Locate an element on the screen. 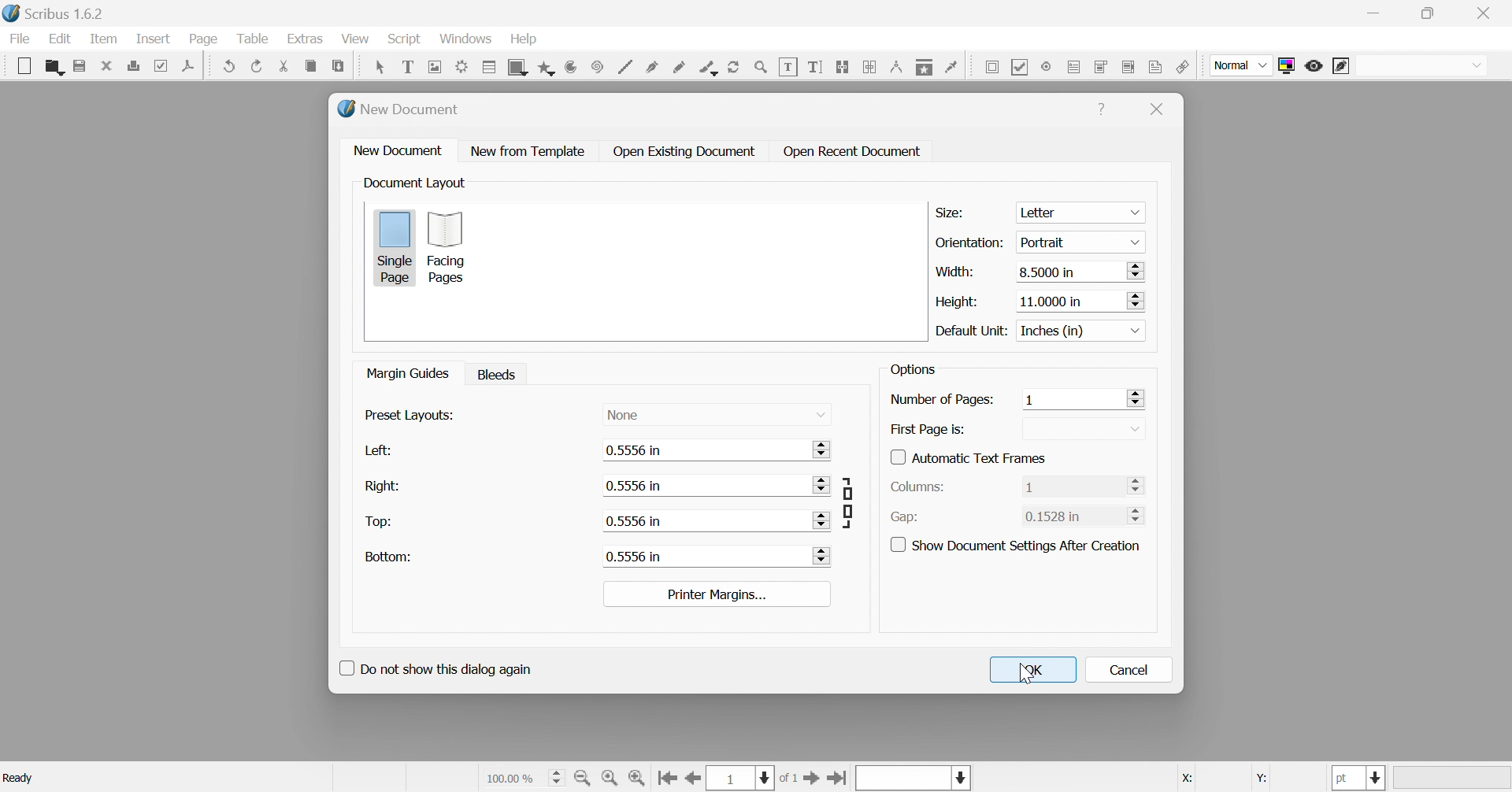 Image resolution: width=1512 pixels, height=792 pixels. close is located at coordinates (1488, 11).